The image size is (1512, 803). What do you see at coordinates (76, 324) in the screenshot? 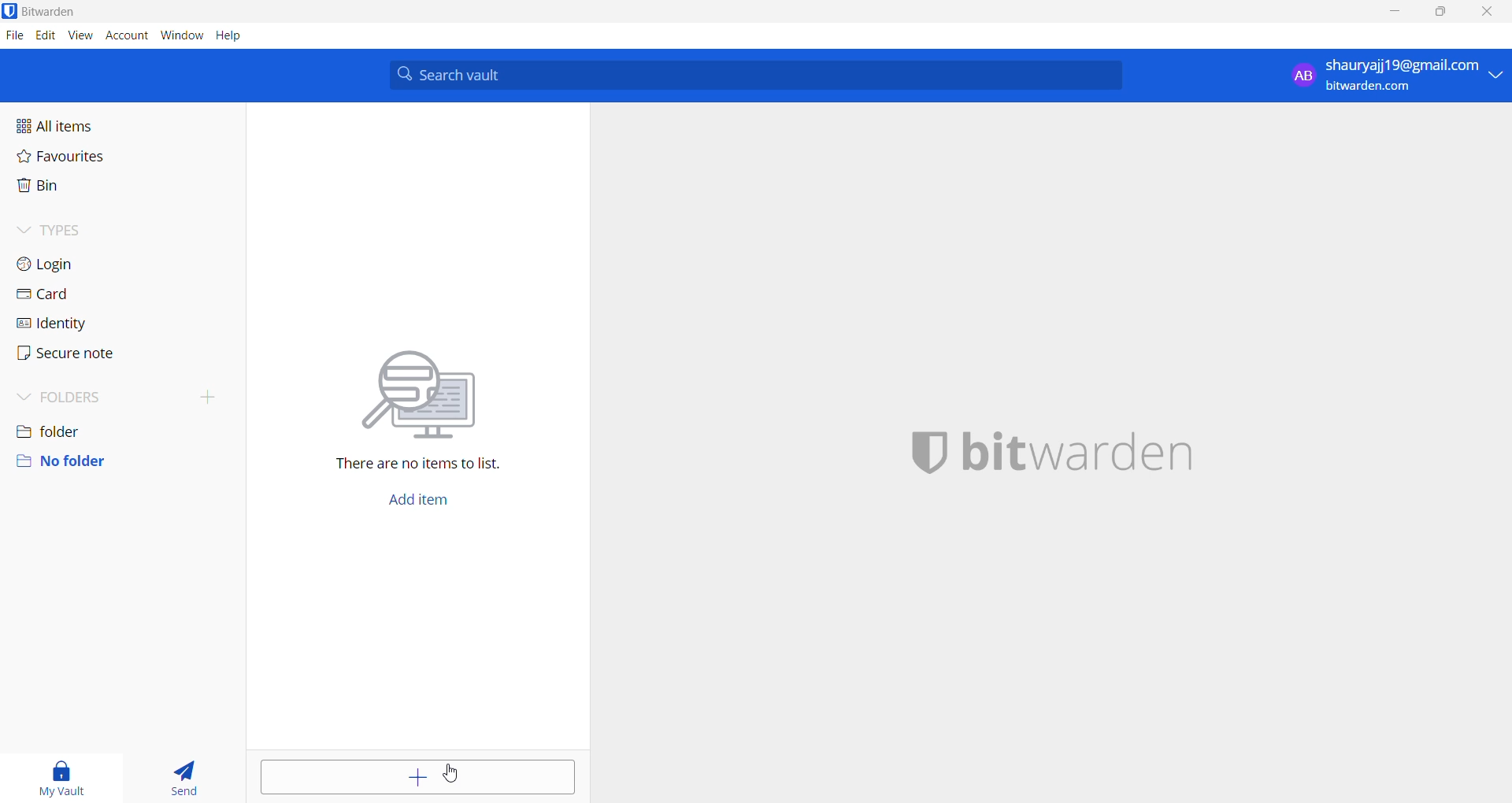
I see `identity` at bounding box center [76, 324].